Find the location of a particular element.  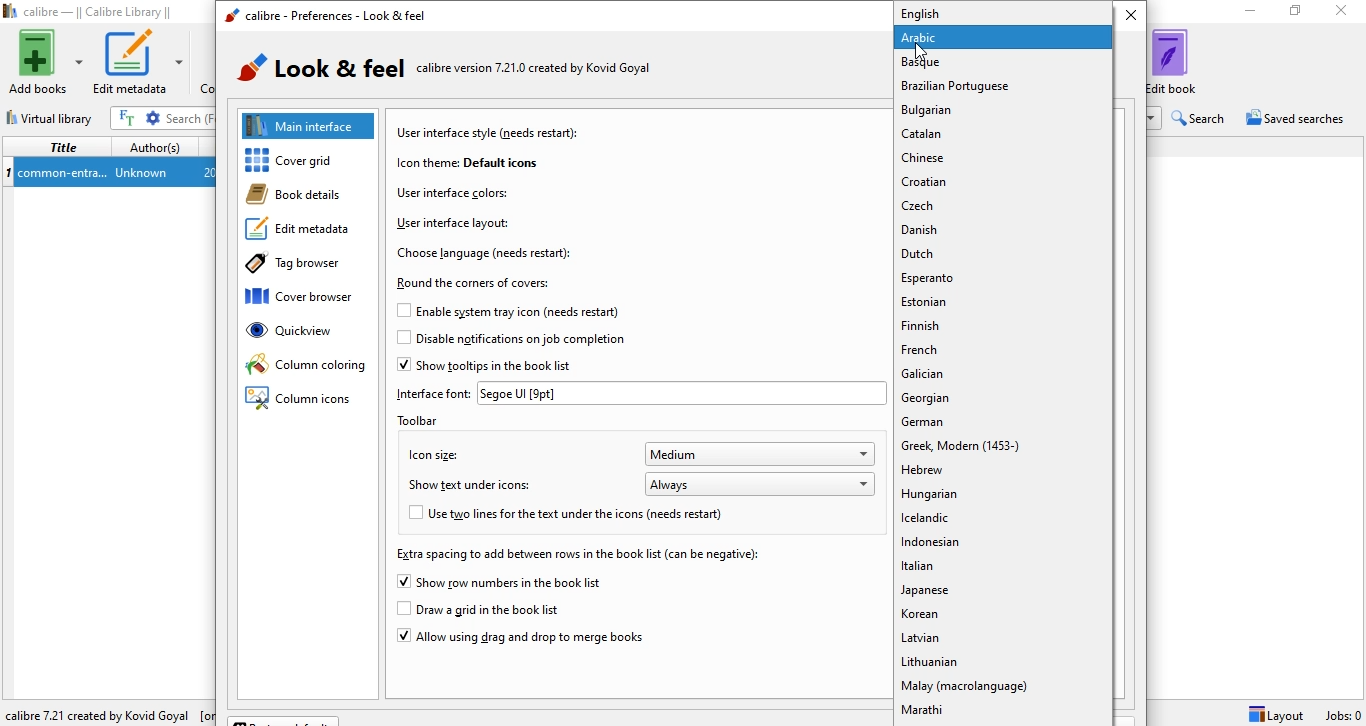

full text search is located at coordinates (129, 118).